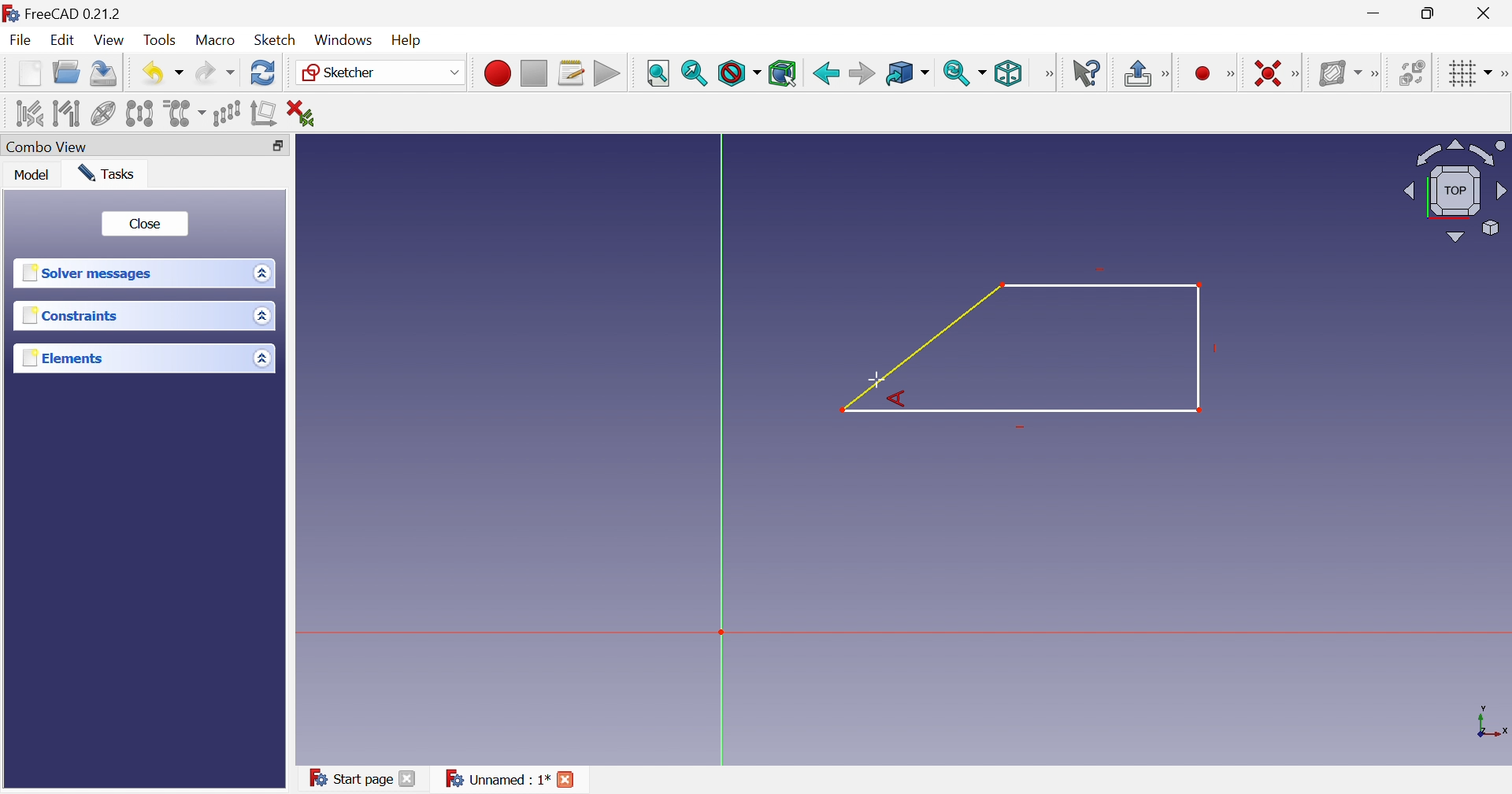 Image resolution: width=1512 pixels, height=794 pixels. I want to click on Constraints, so click(70, 316).